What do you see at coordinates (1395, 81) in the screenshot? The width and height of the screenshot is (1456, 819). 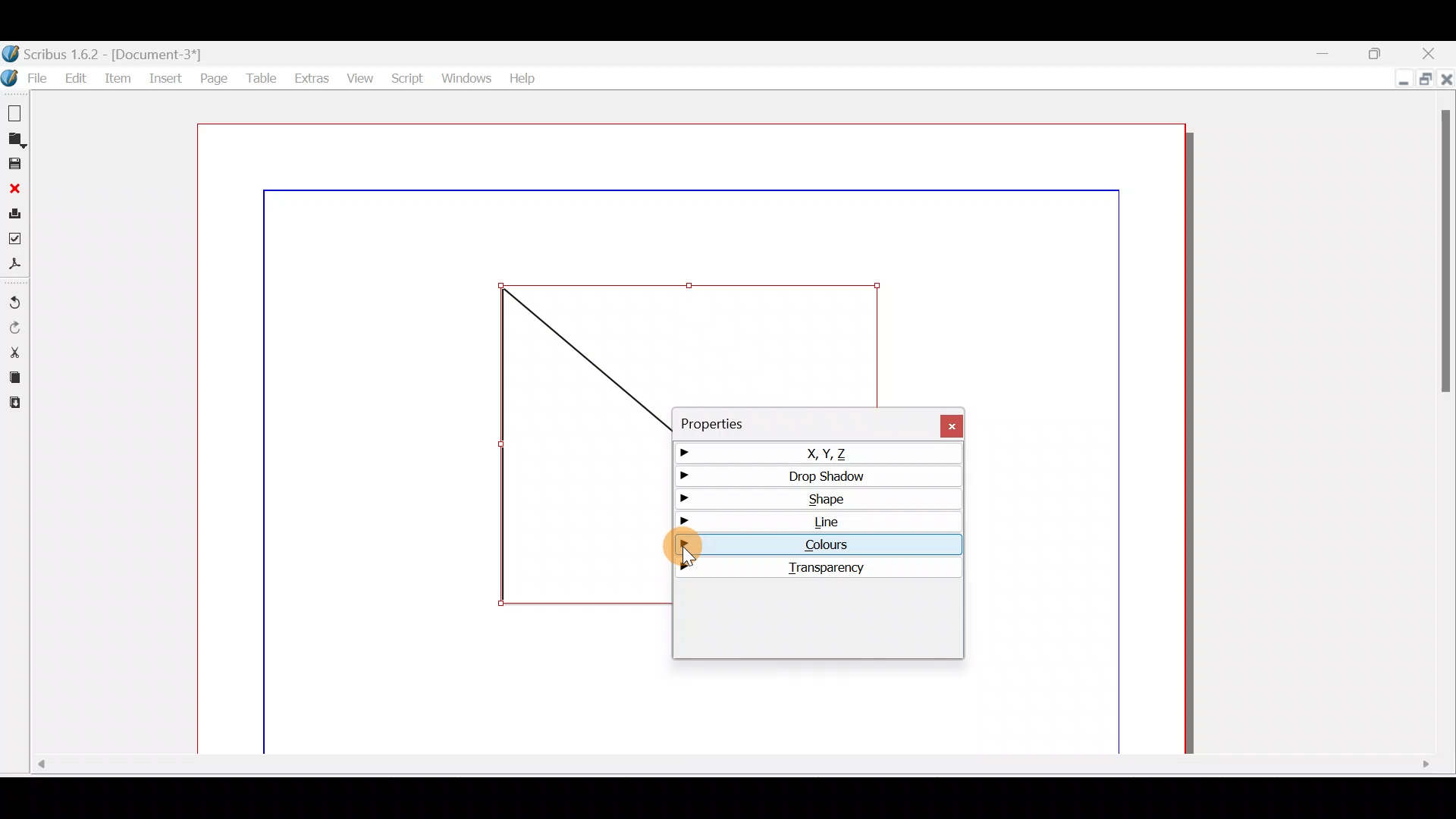 I see `Minimise` at bounding box center [1395, 81].